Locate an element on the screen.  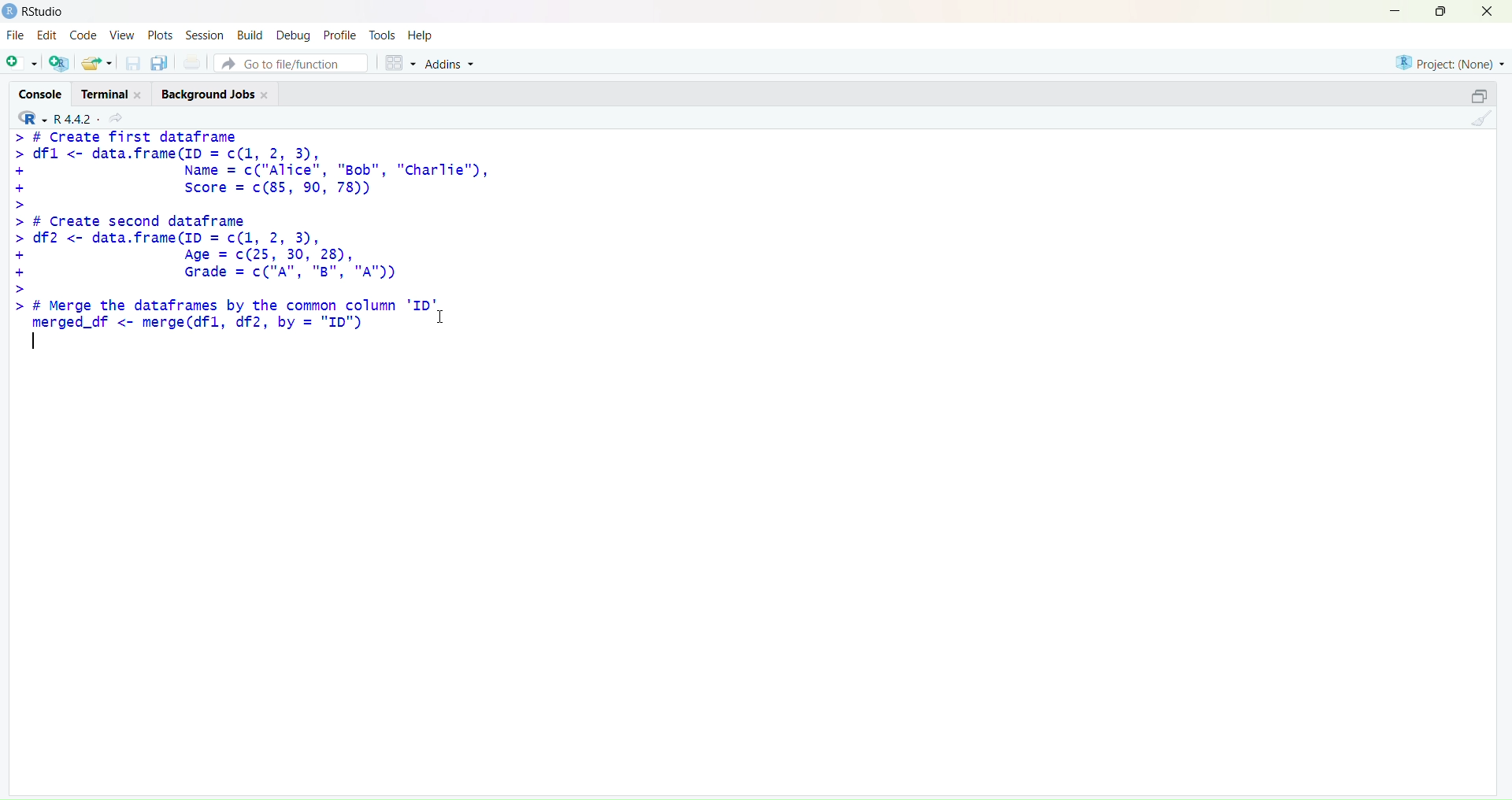
Terminal is located at coordinates (115, 92).